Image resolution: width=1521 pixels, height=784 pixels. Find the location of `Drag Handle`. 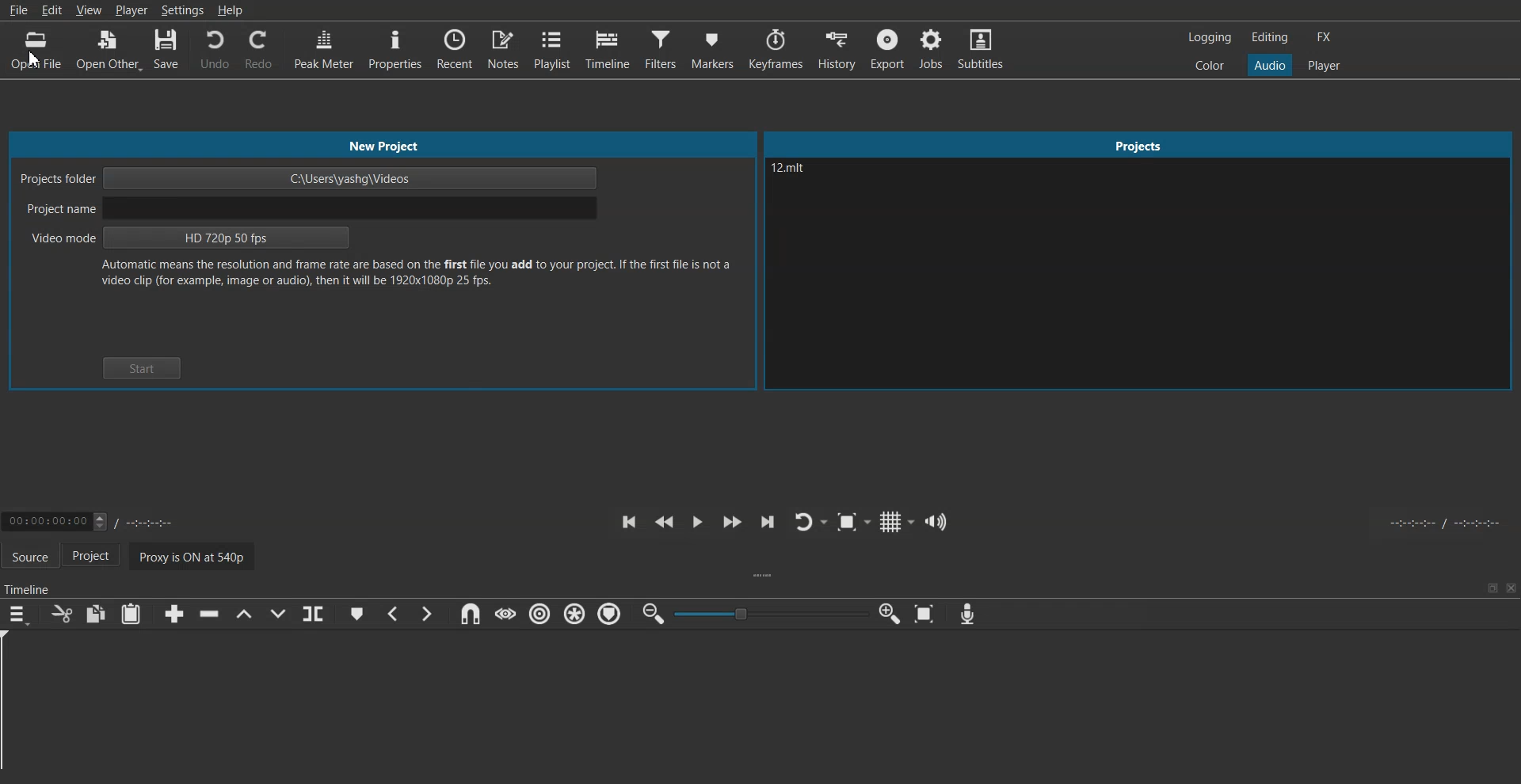

Drag Handle is located at coordinates (765, 577).